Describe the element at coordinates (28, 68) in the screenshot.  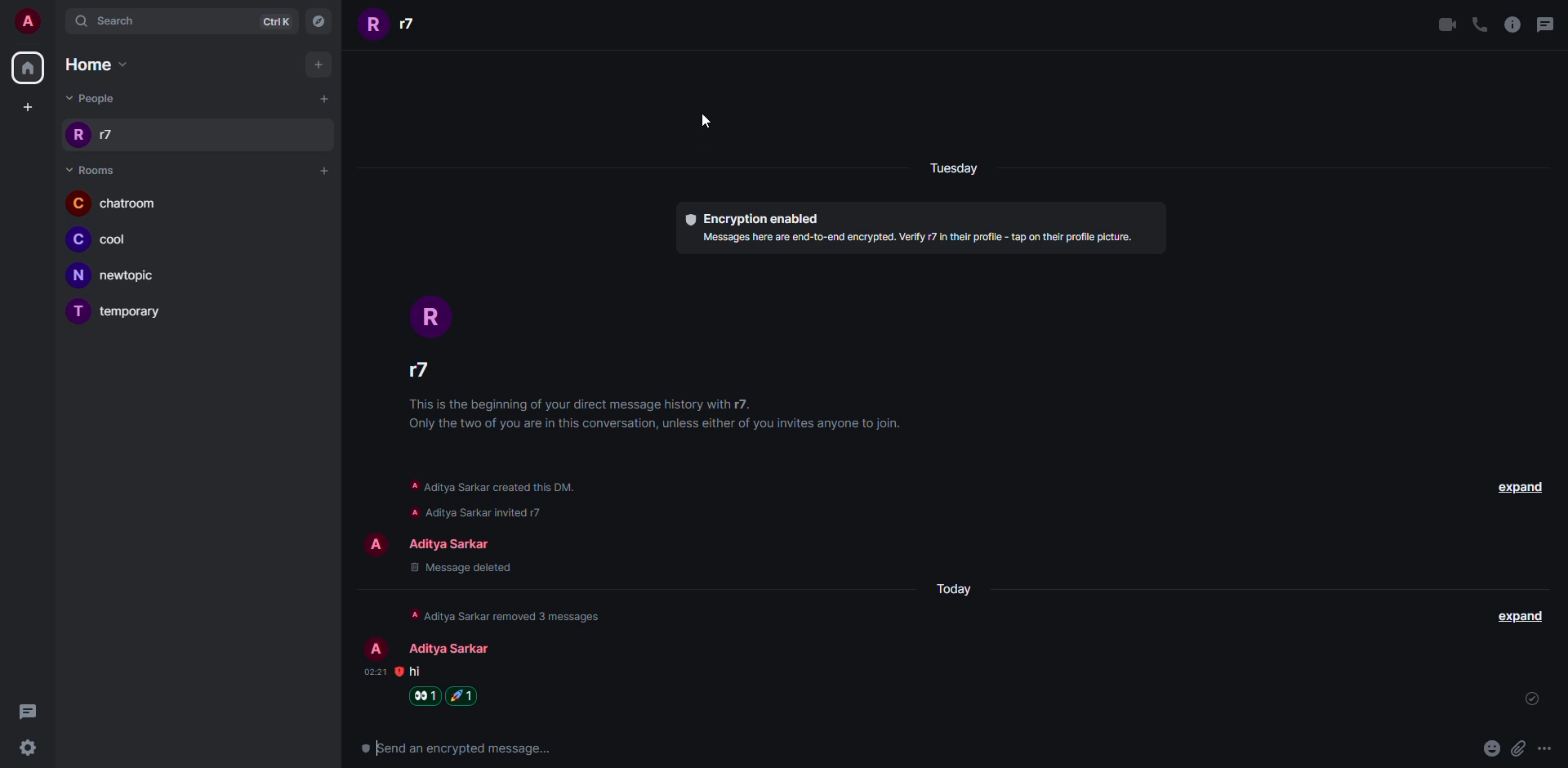
I see `home` at that location.